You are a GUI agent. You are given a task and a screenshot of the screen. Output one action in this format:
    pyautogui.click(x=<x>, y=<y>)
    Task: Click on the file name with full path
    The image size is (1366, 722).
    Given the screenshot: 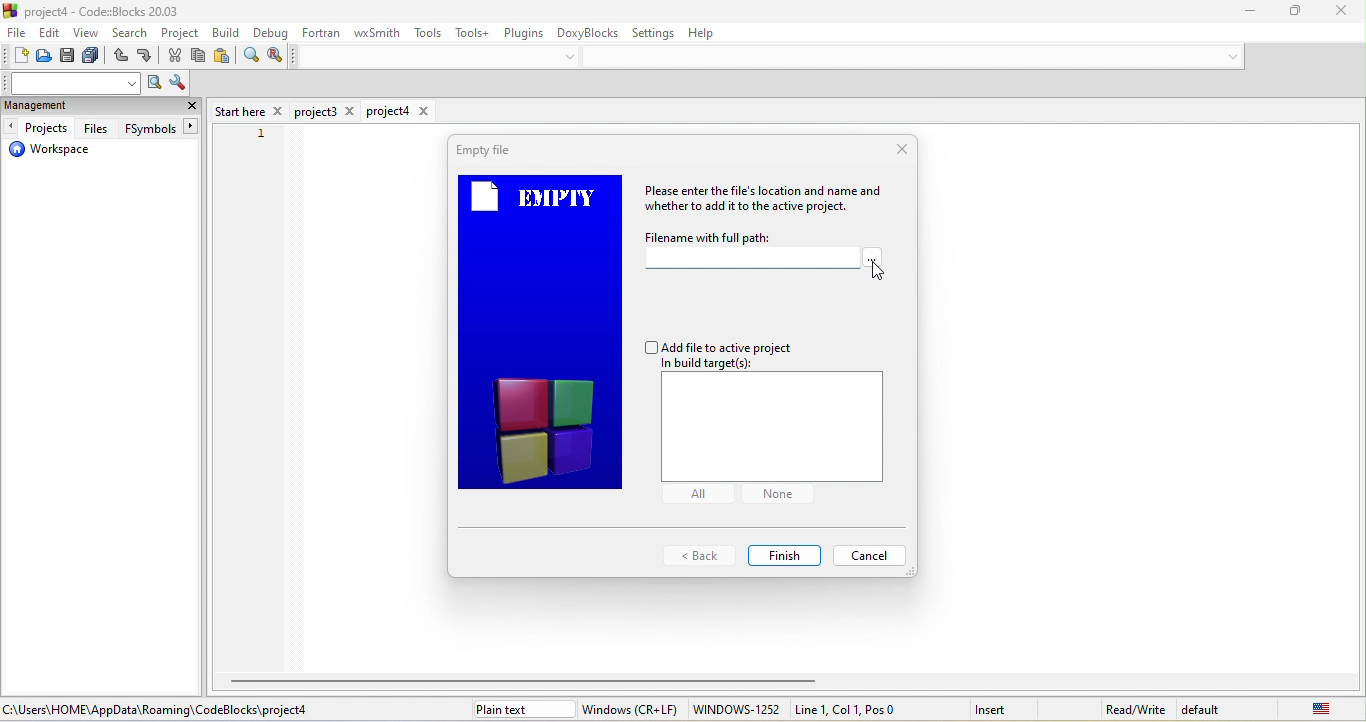 What is the action you would take?
    pyautogui.click(x=767, y=253)
    